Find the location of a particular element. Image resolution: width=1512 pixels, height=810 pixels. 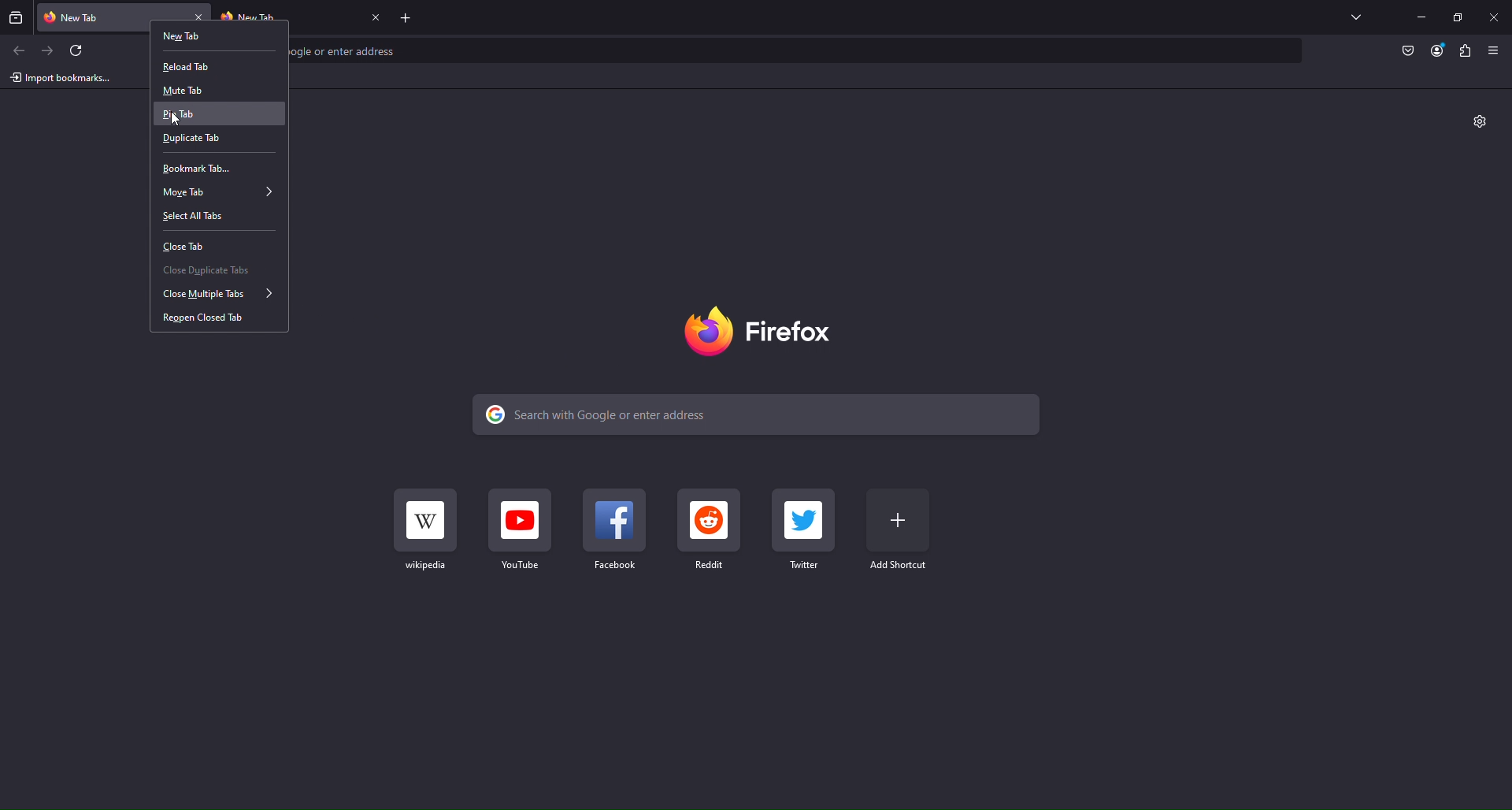

Address Bar is located at coordinates (800, 52).